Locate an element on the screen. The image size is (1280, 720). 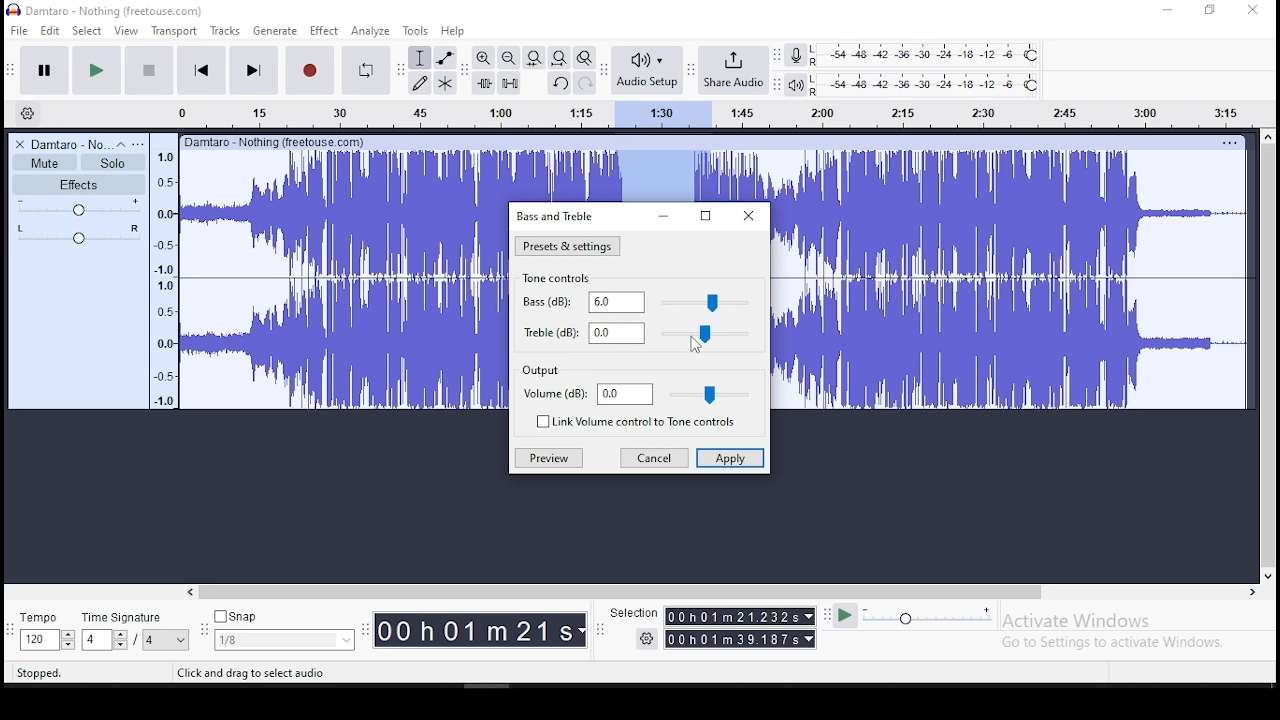
generate is located at coordinates (273, 31).